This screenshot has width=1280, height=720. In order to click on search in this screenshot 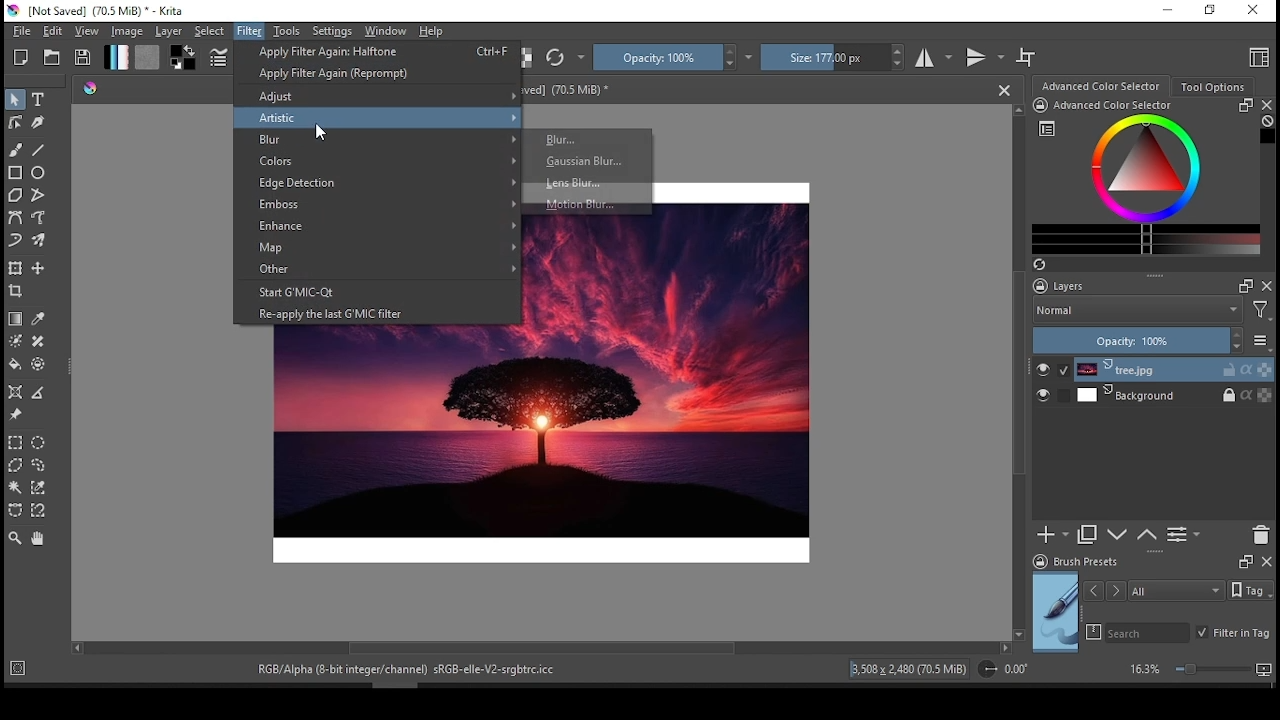, I will do `click(1090, 632)`.